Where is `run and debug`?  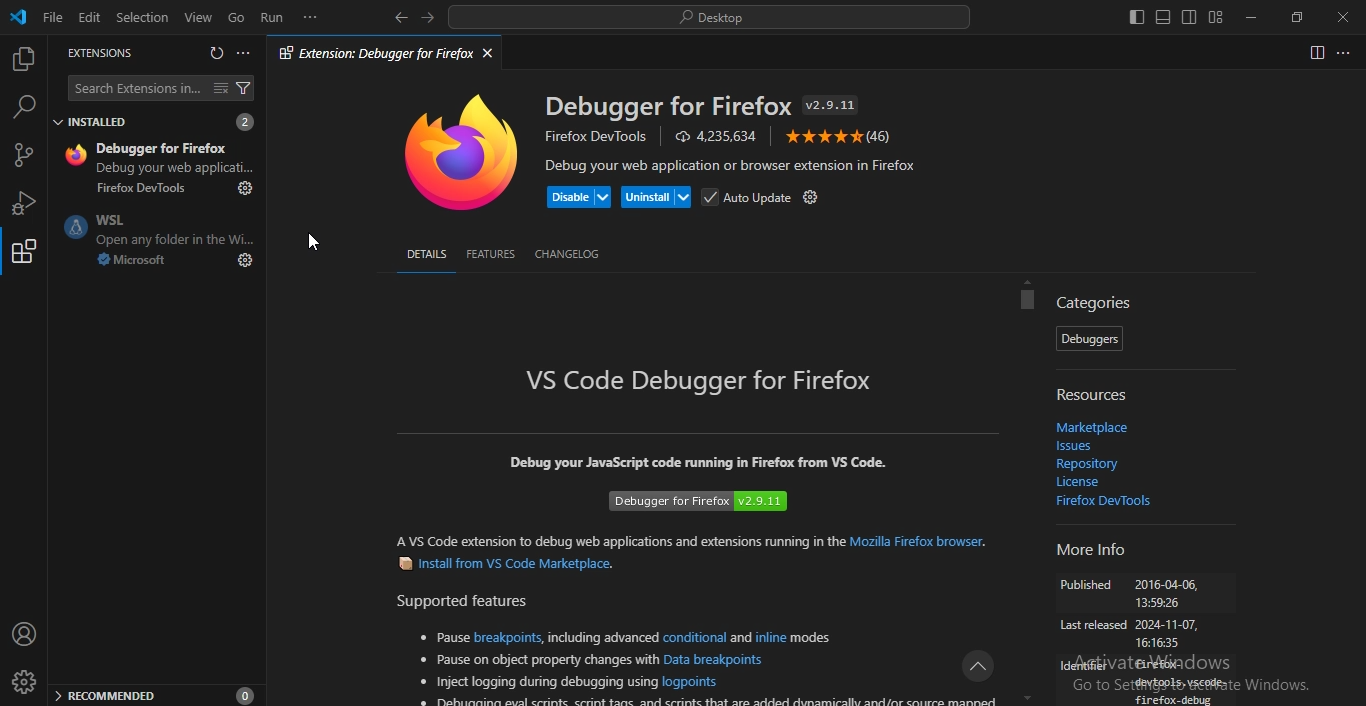 run and debug is located at coordinates (22, 201).